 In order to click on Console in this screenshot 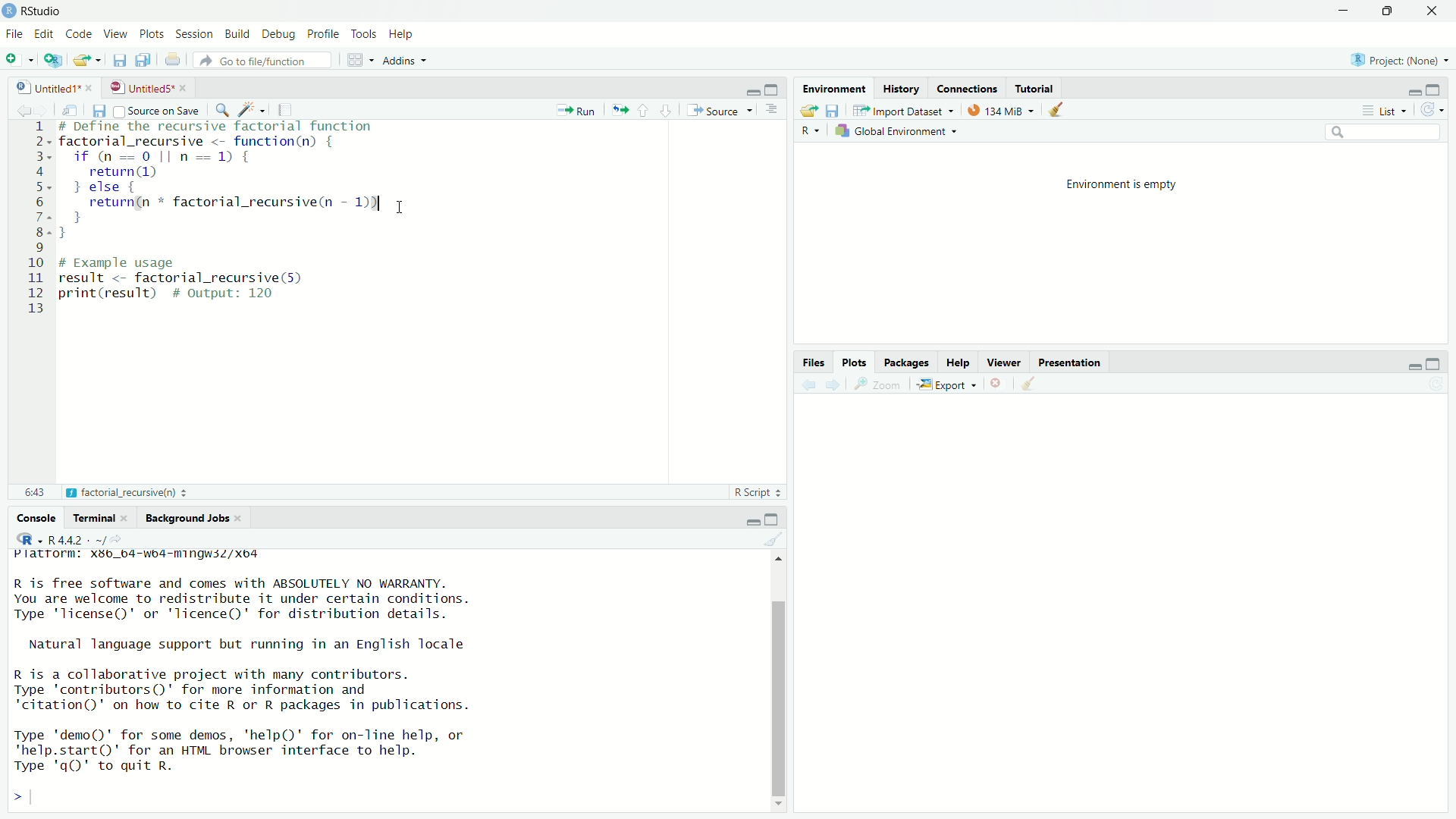, I will do `click(37, 519)`.